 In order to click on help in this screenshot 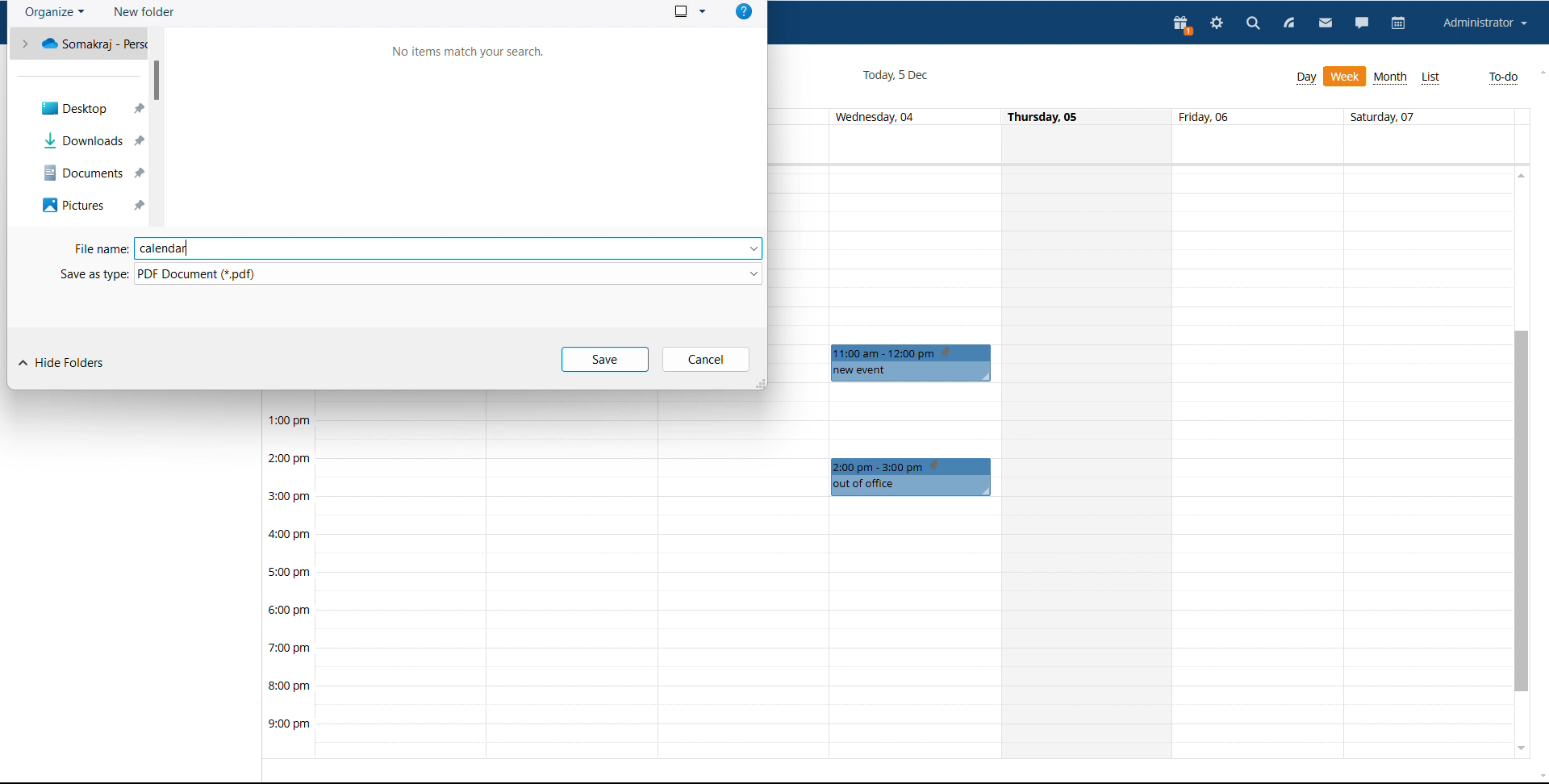, I will do `click(743, 11)`.